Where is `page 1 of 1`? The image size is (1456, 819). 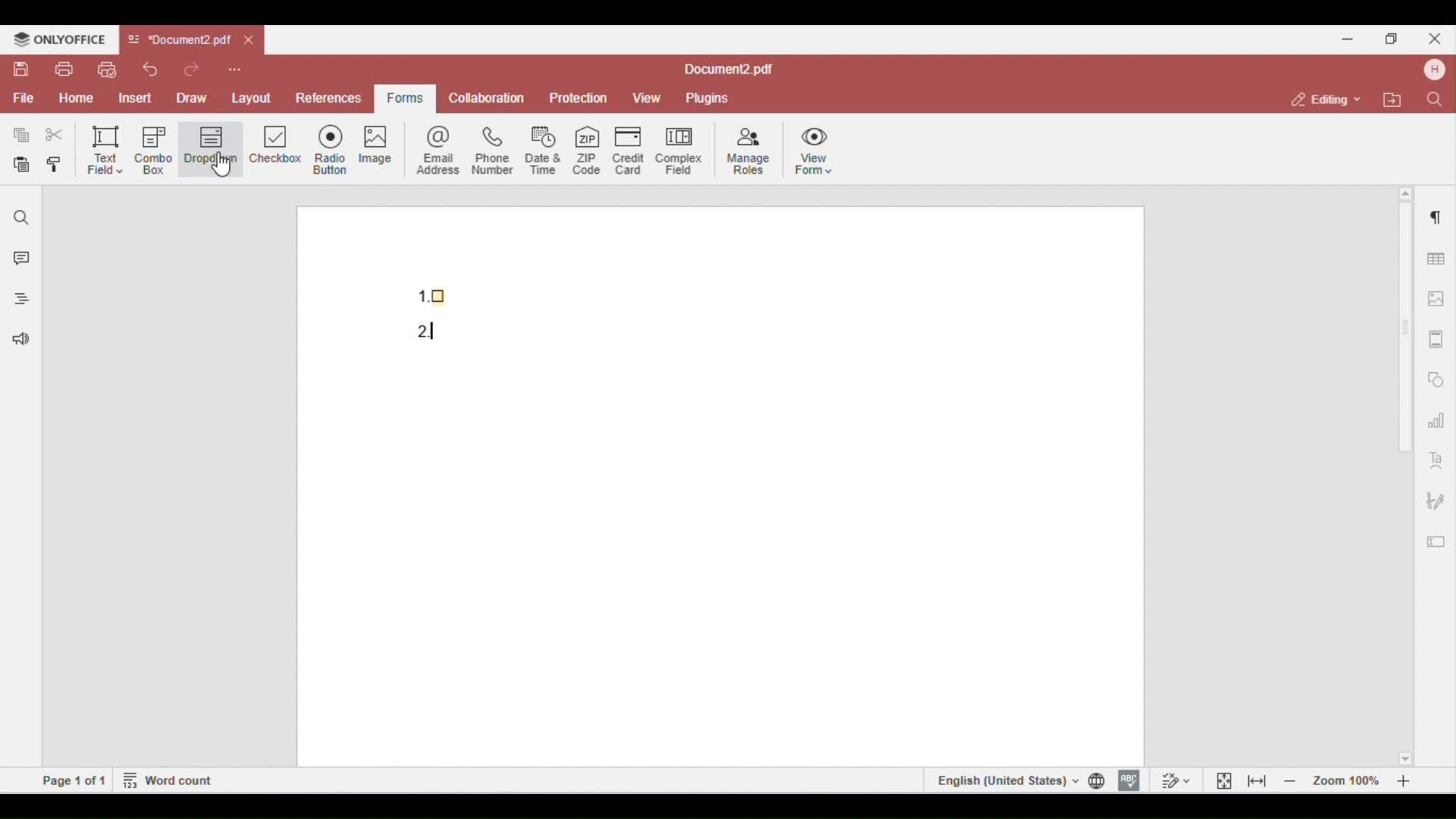 page 1 of 1 is located at coordinates (74, 780).